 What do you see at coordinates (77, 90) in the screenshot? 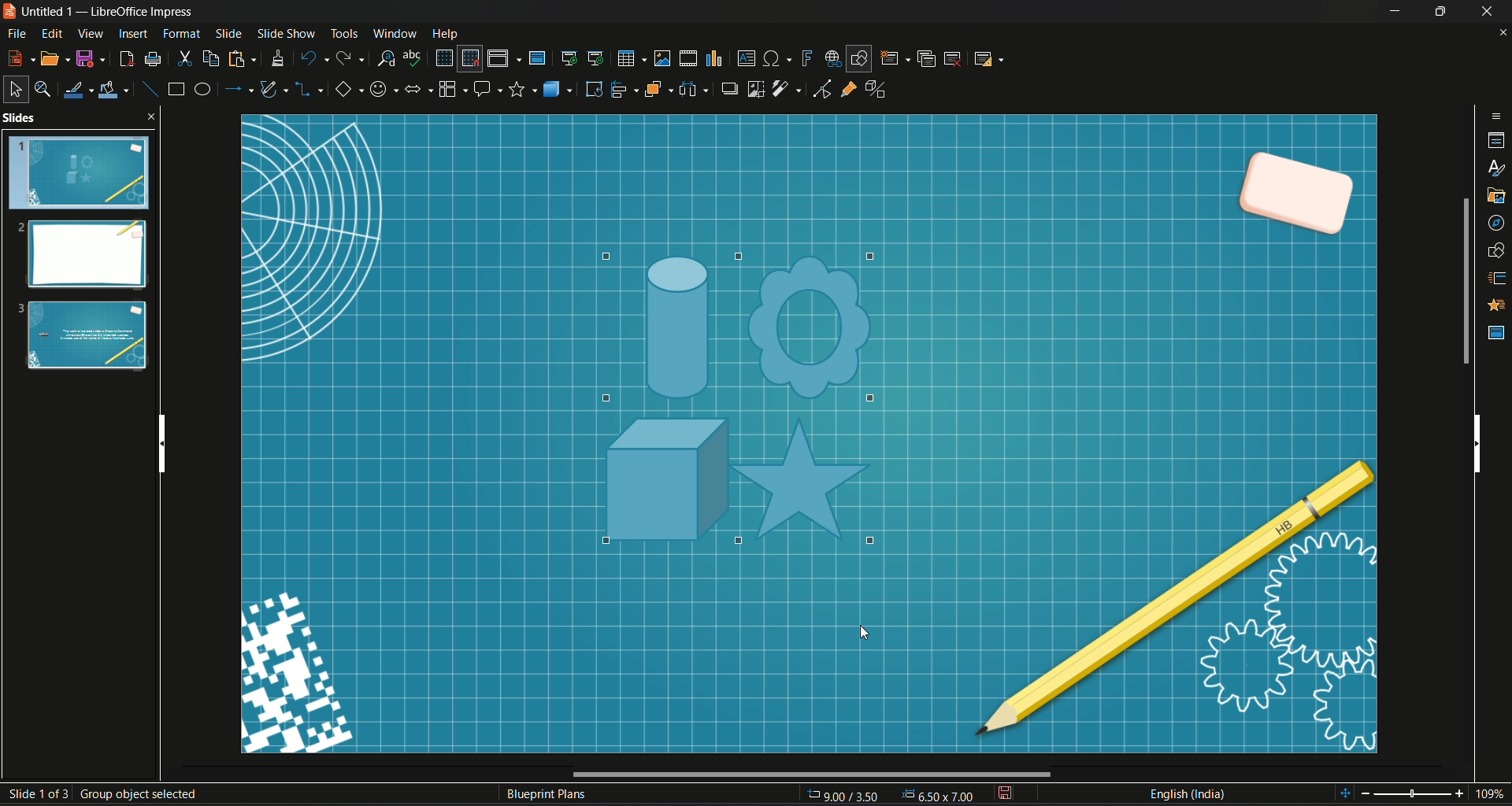
I see `line color` at bounding box center [77, 90].